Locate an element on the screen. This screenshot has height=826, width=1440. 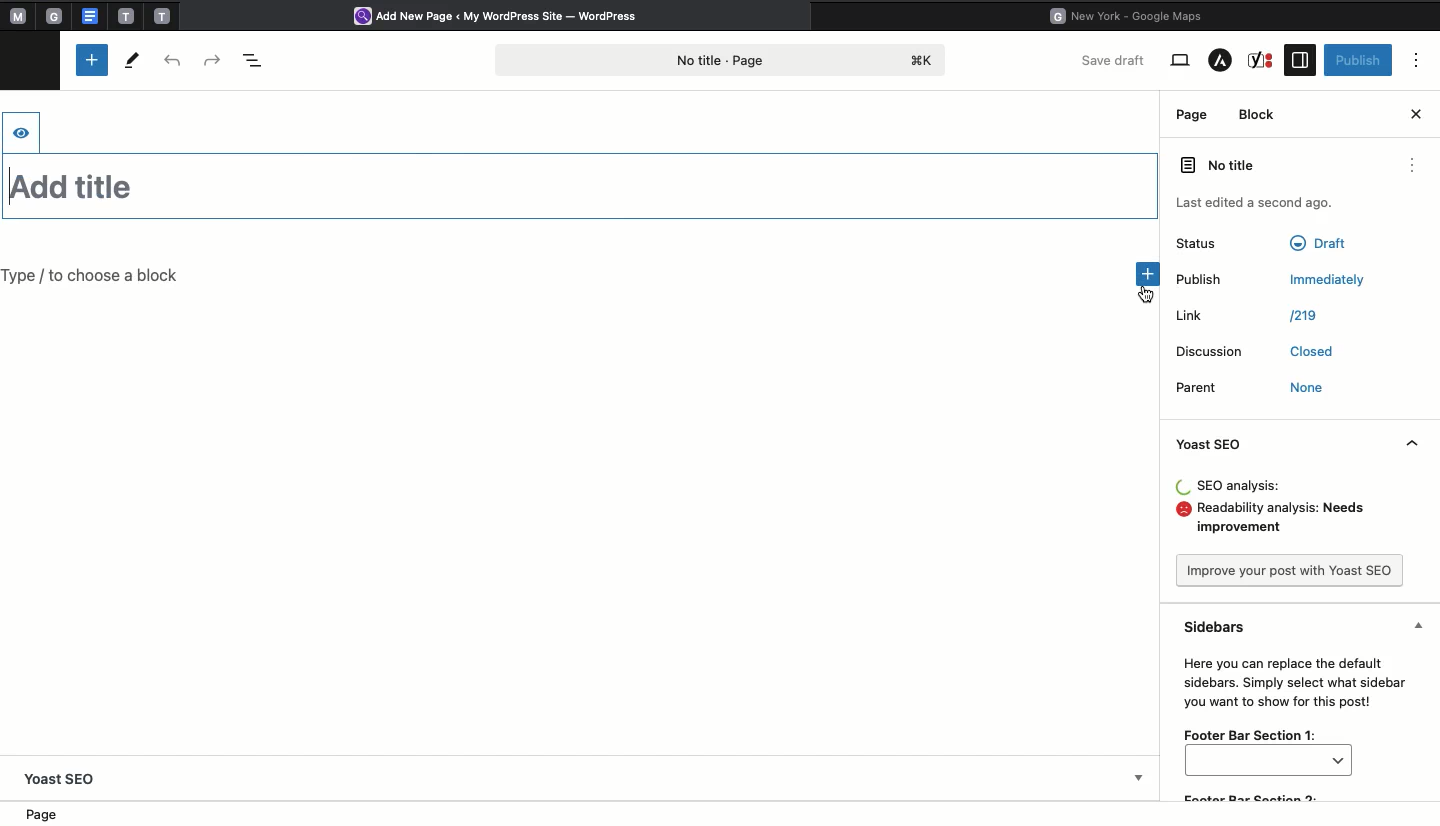
hide is located at coordinates (25, 134).